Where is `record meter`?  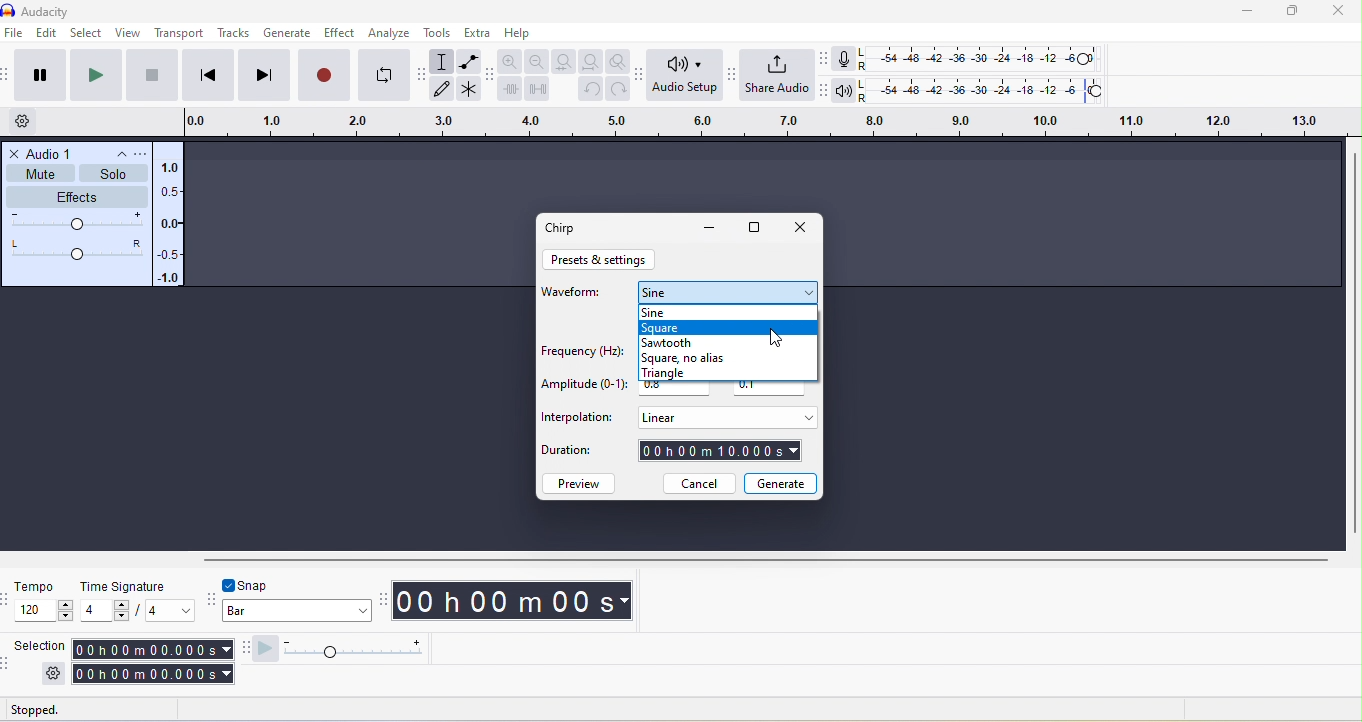 record meter is located at coordinates (848, 58).